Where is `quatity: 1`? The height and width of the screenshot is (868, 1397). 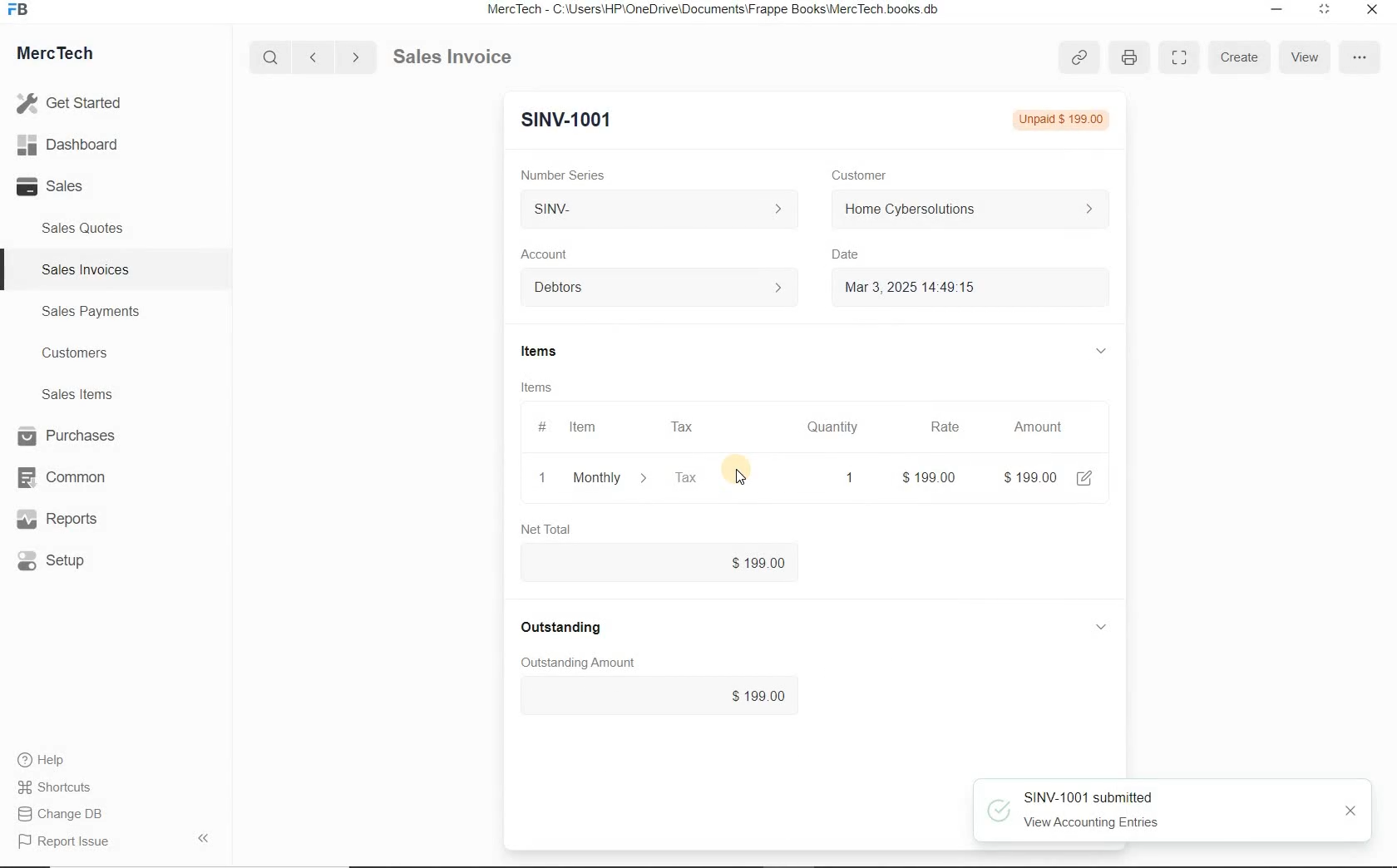 quatity: 1 is located at coordinates (843, 476).